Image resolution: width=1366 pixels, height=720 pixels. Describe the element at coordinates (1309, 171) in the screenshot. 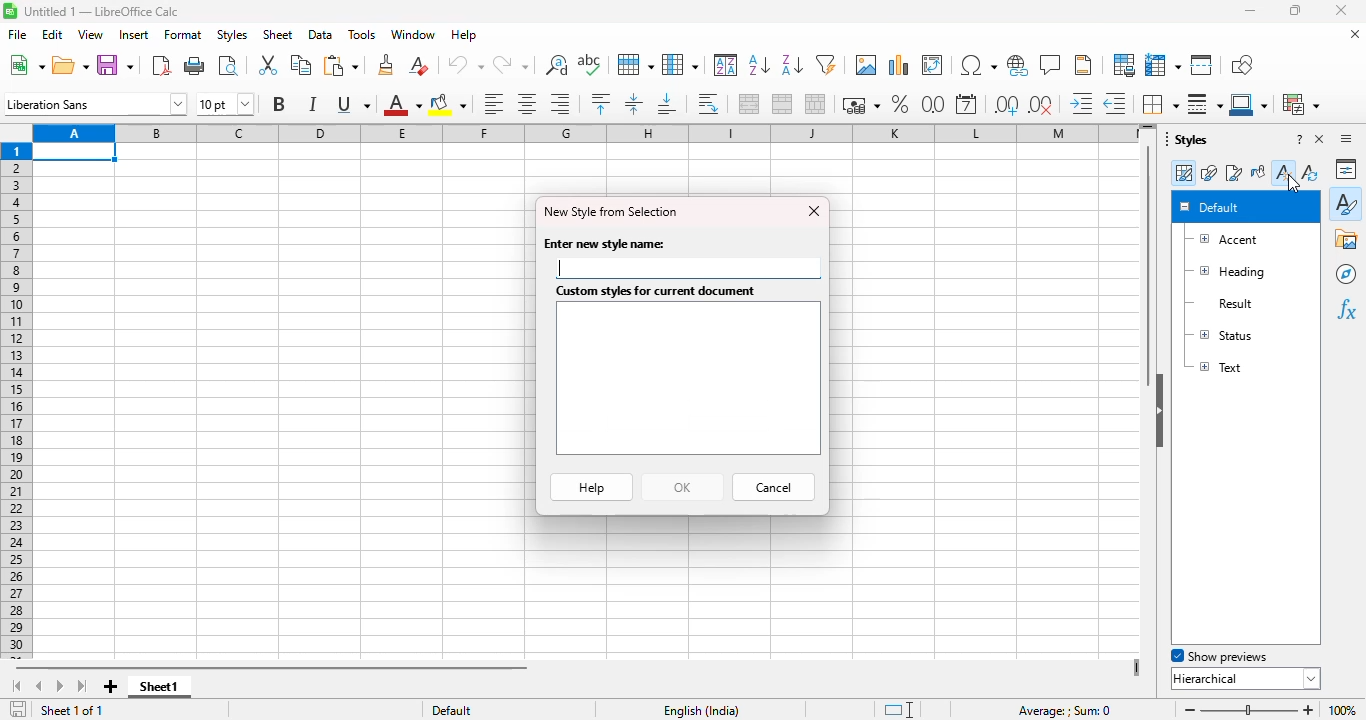

I see `update style` at that location.